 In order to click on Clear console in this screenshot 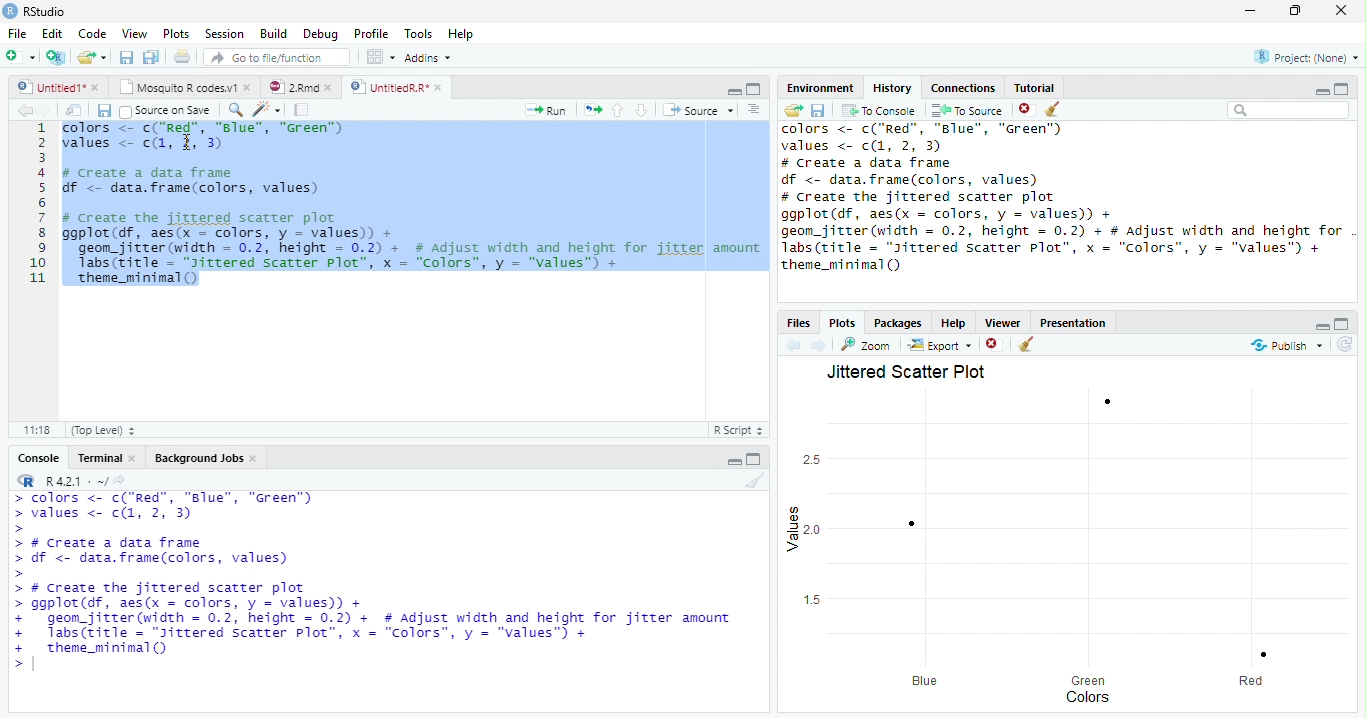, I will do `click(754, 481)`.